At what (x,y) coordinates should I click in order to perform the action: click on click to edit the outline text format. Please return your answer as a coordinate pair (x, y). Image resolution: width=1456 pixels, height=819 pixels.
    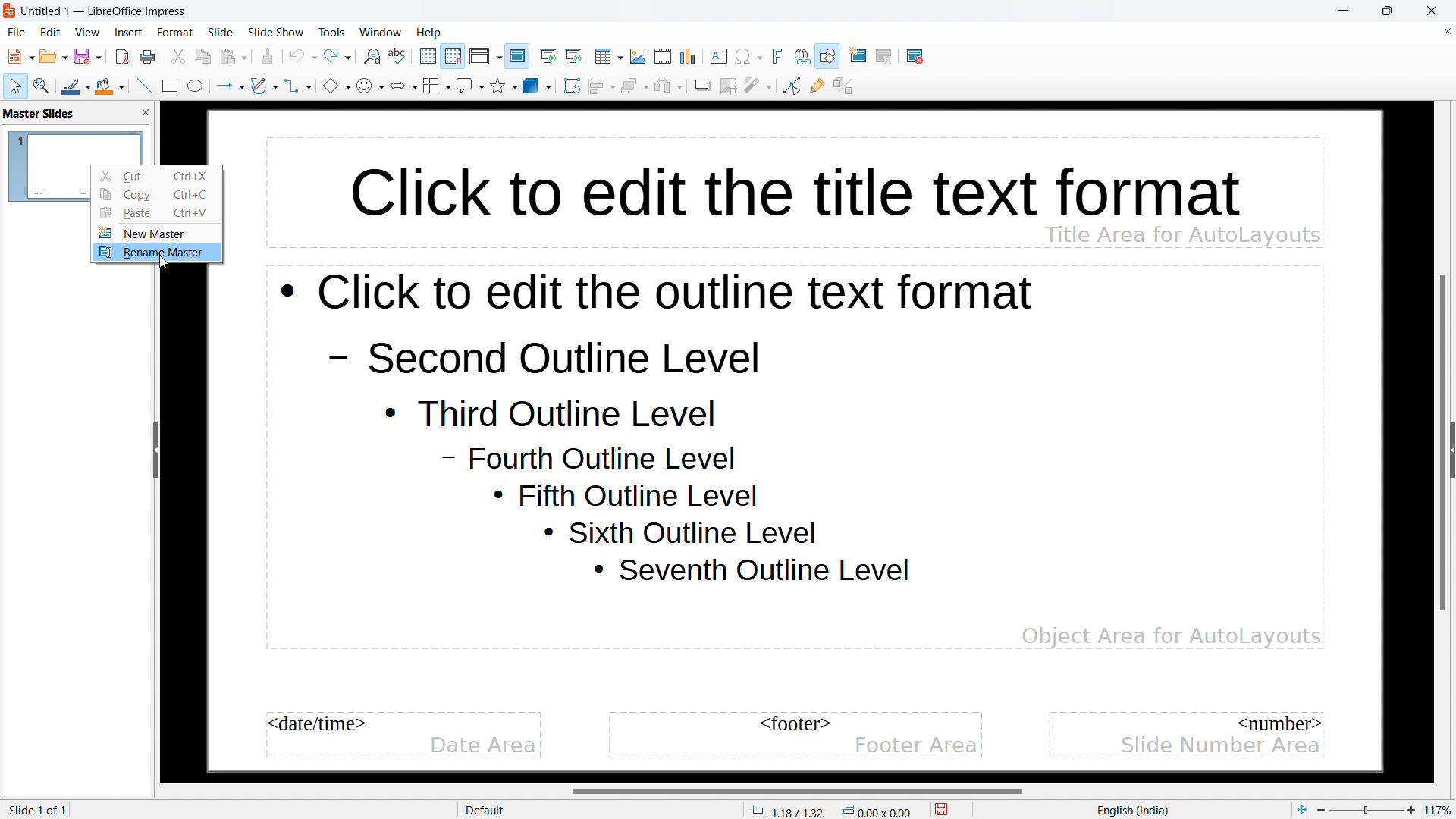
    Looking at the image, I should click on (664, 296).